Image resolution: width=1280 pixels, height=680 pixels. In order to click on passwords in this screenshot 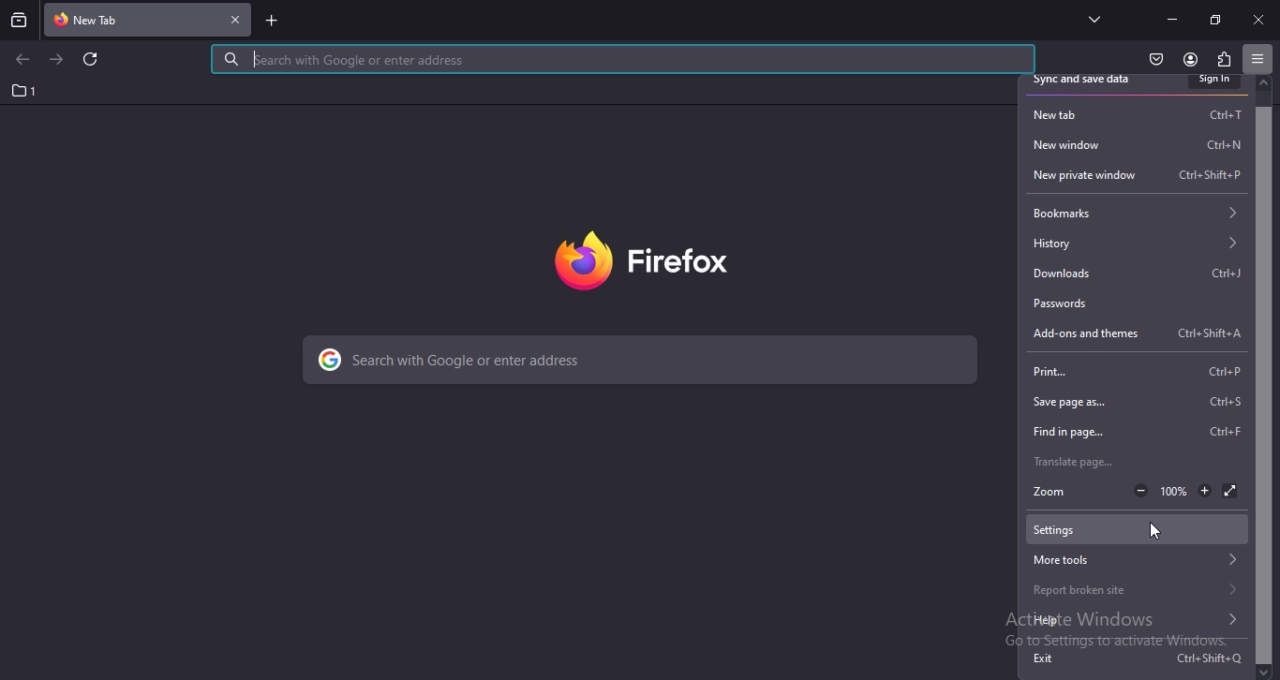, I will do `click(1130, 302)`.